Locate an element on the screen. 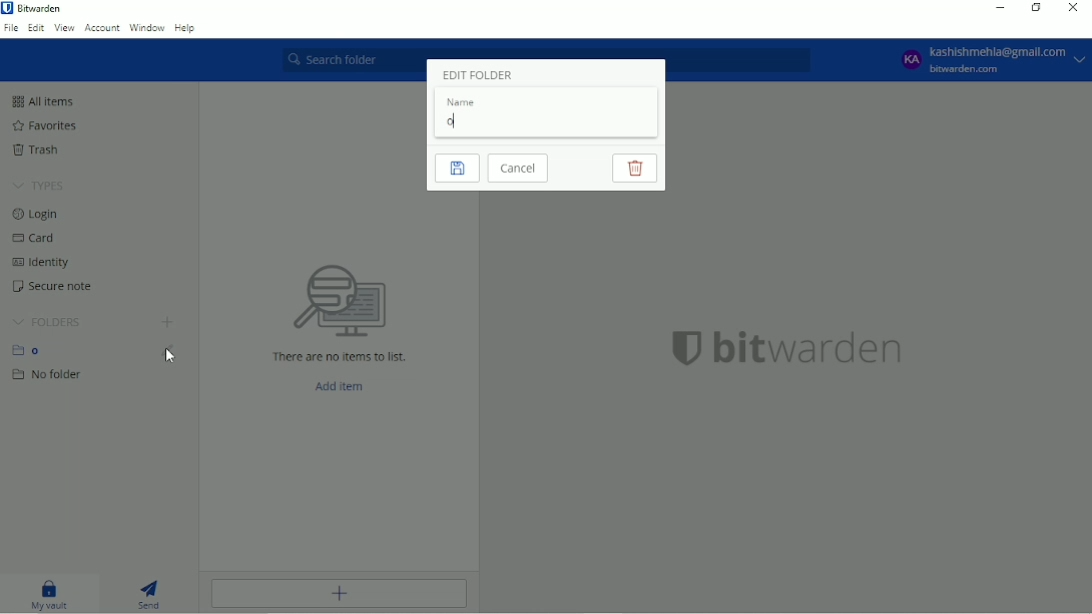 This screenshot has height=614, width=1092. Add folder is located at coordinates (166, 323).